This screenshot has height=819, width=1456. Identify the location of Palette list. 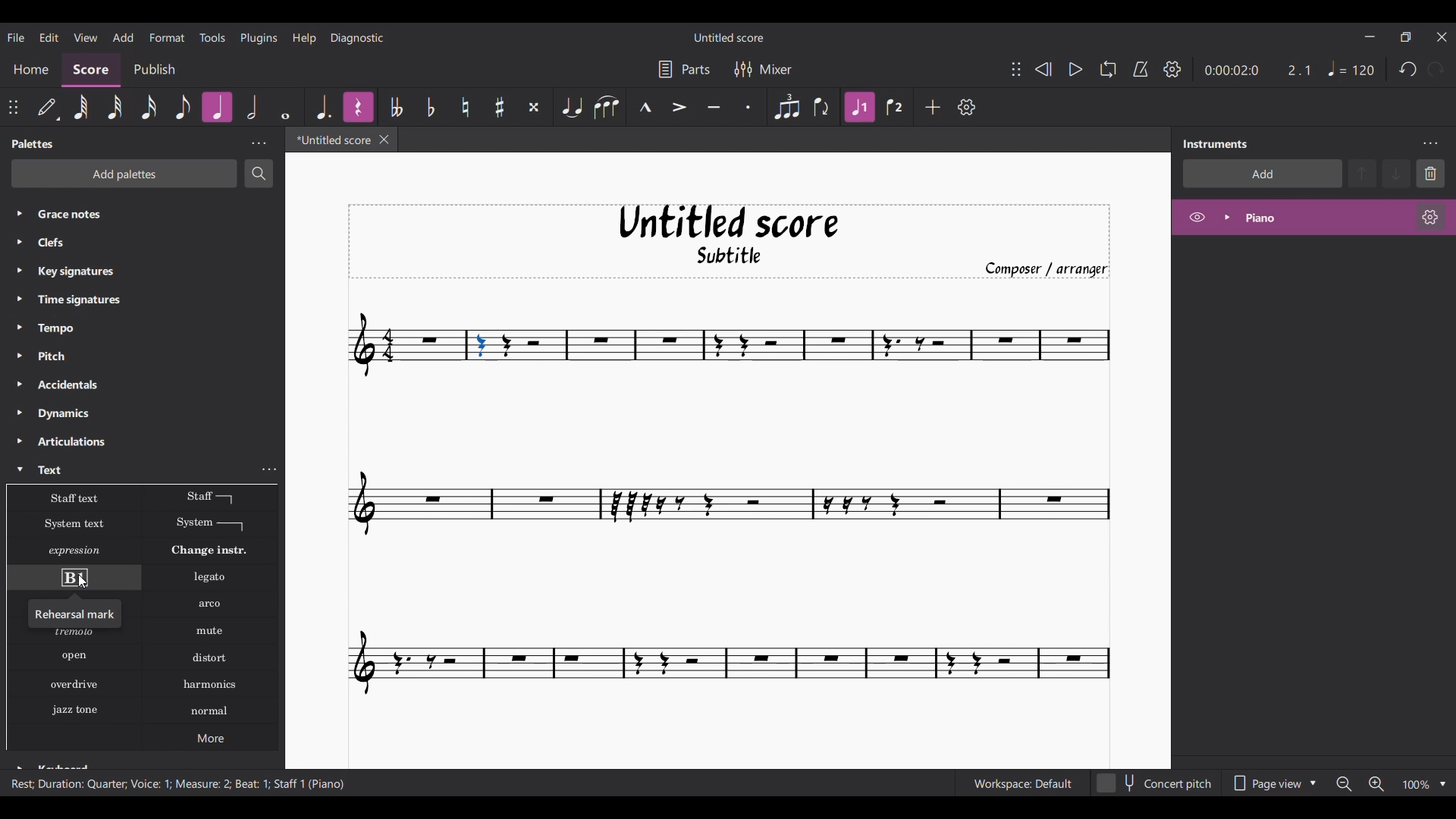
(139, 344).